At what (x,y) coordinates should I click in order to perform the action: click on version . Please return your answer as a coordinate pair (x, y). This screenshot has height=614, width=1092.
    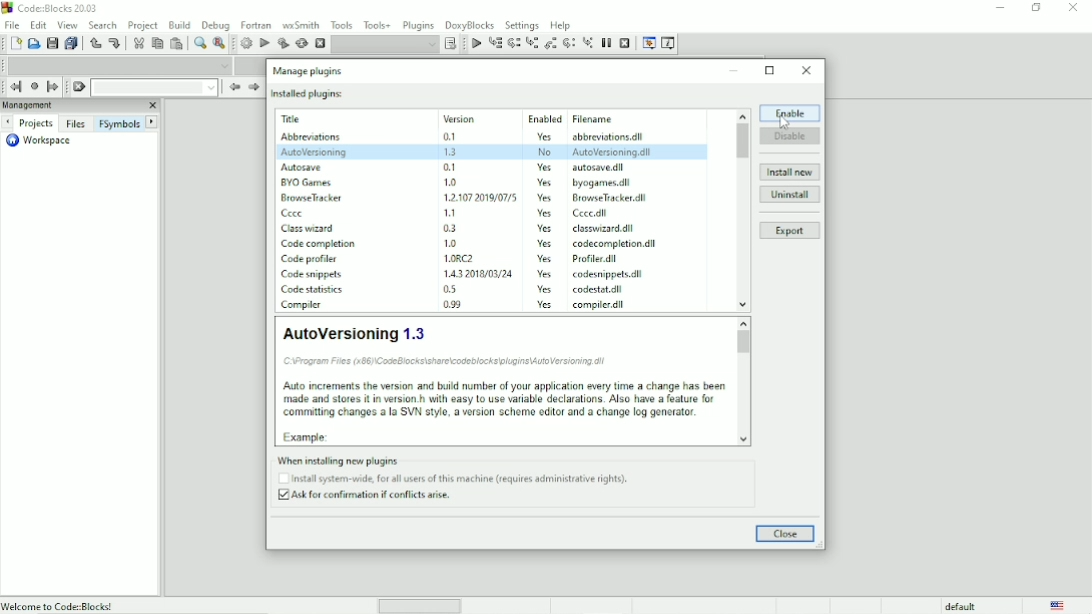
    Looking at the image, I should click on (448, 228).